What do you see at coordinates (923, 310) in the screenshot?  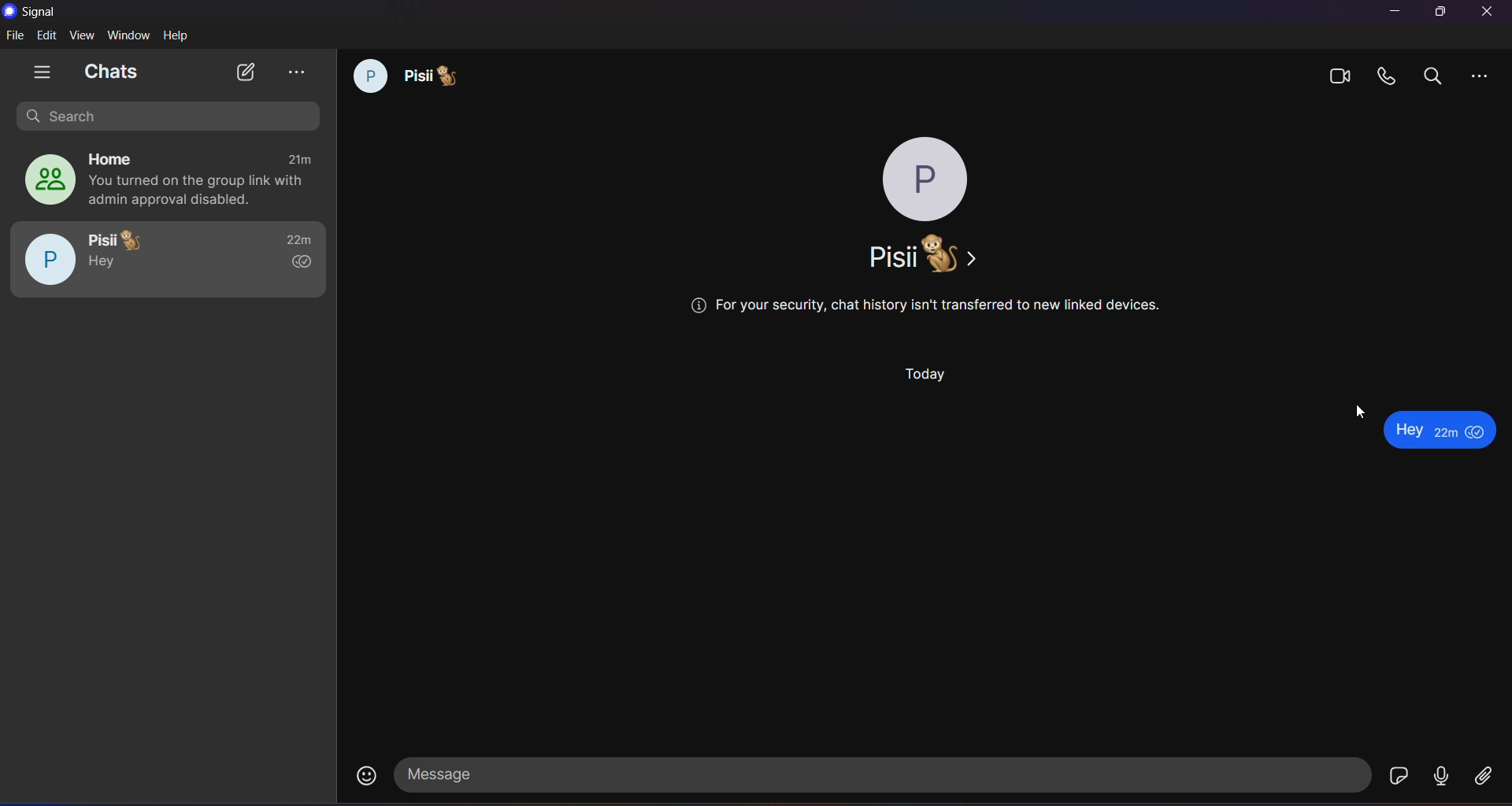 I see `security warning` at bounding box center [923, 310].